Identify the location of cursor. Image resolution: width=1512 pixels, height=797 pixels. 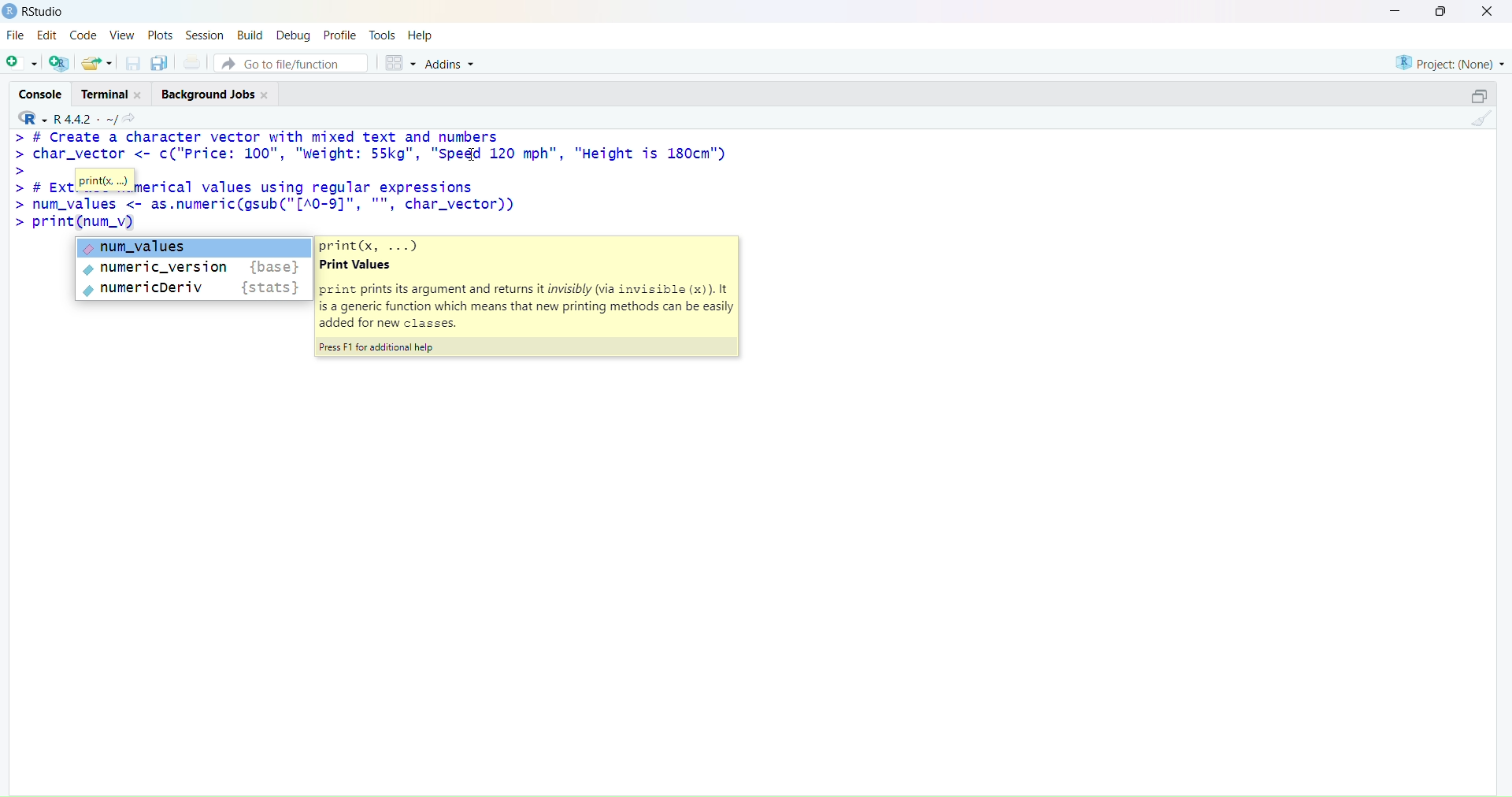
(475, 154).